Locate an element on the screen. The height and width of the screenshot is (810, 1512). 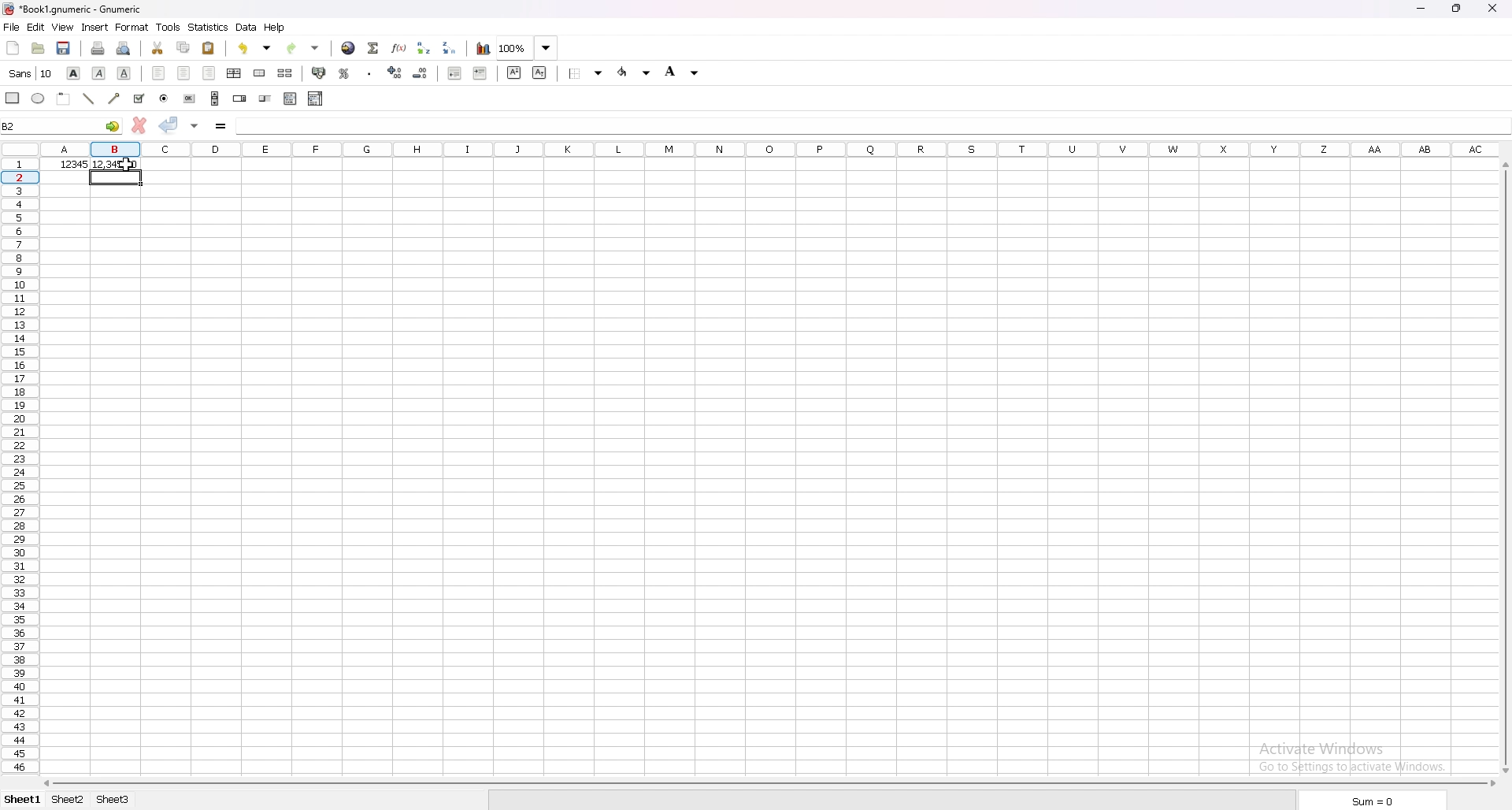
spin button is located at coordinates (239, 98).